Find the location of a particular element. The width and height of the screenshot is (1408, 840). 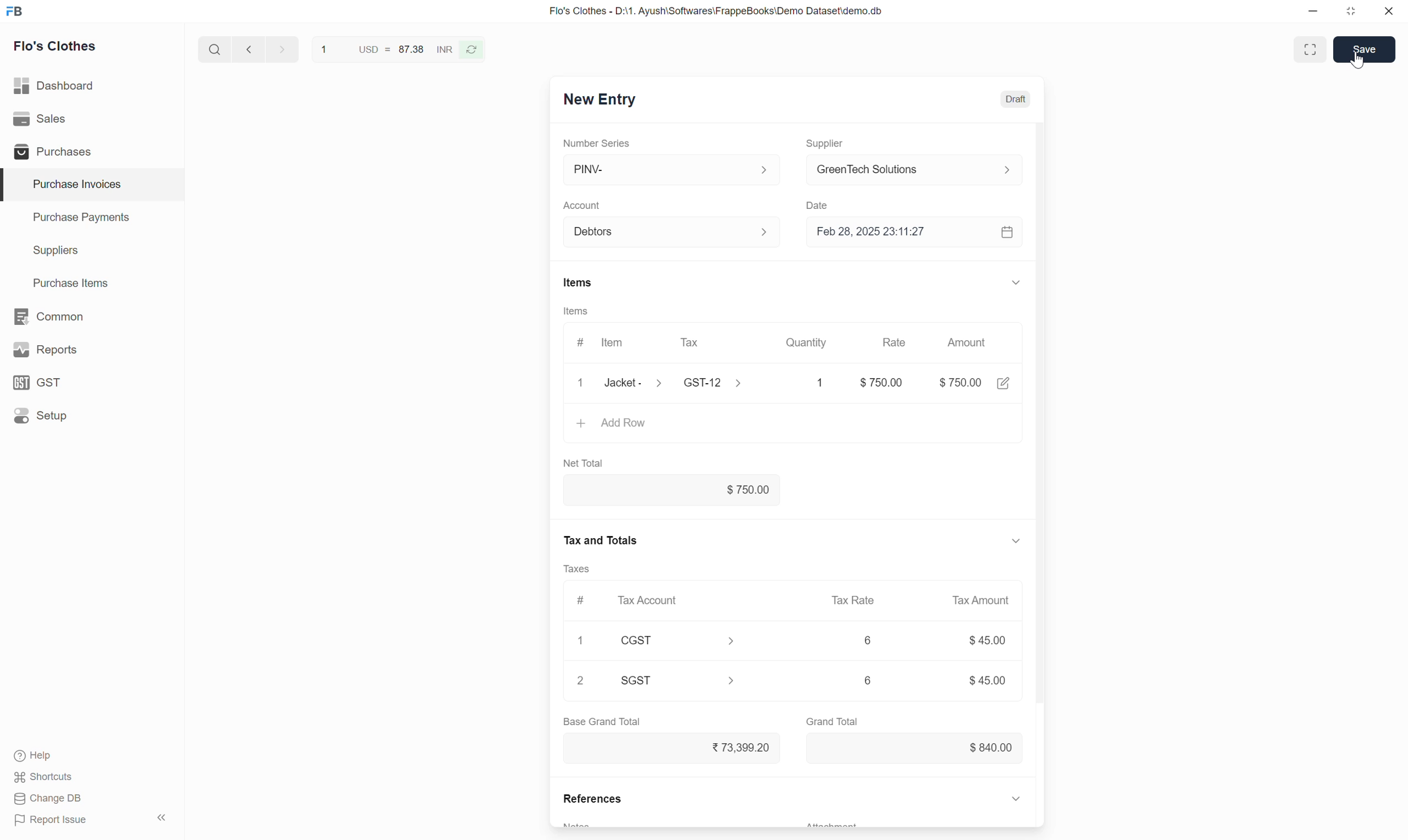

Shortcuts is located at coordinates (45, 777).